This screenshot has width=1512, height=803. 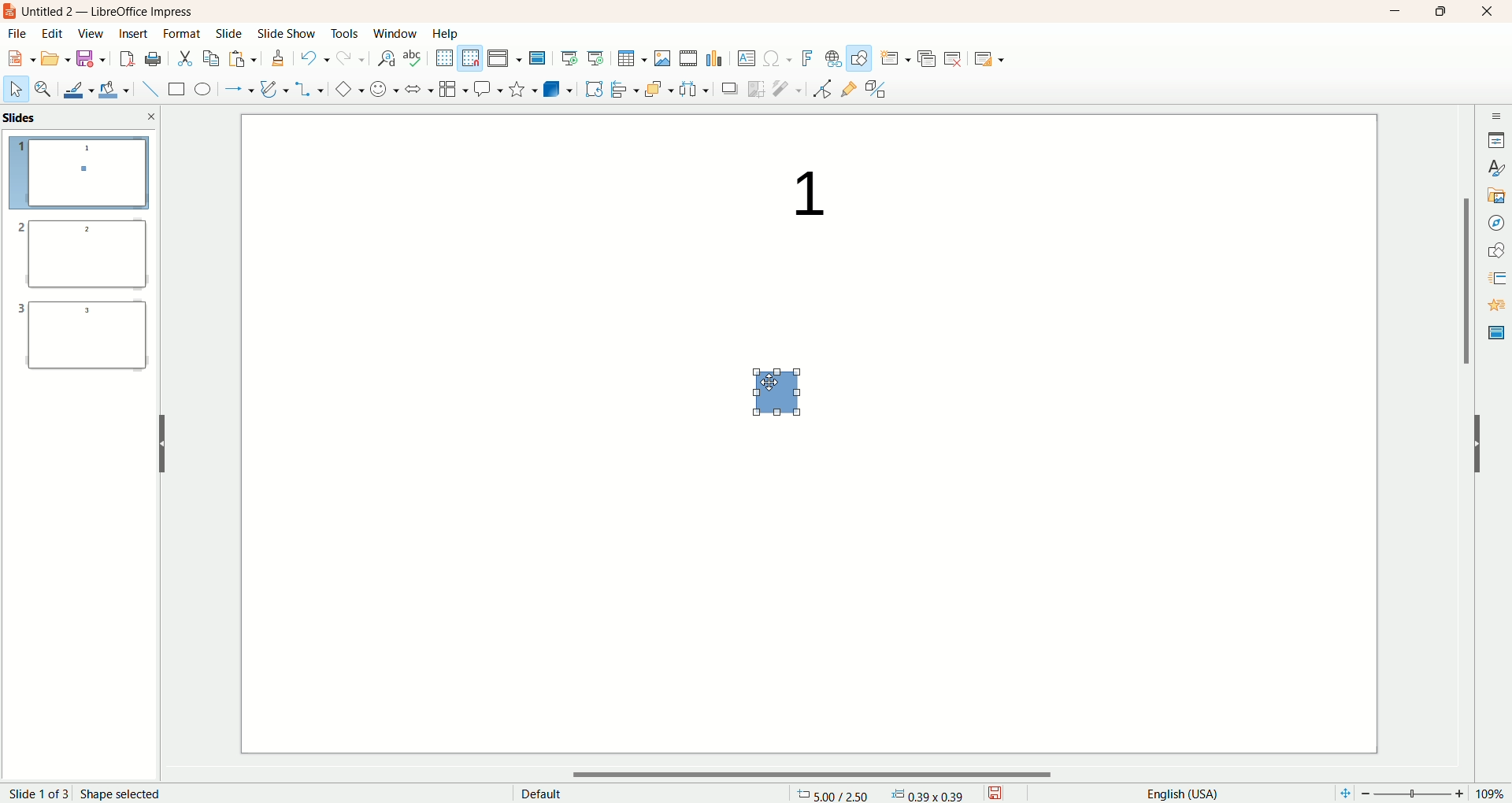 What do you see at coordinates (83, 342) in the screenshot?
I see `slide 3` at bounding box center [83, 342].